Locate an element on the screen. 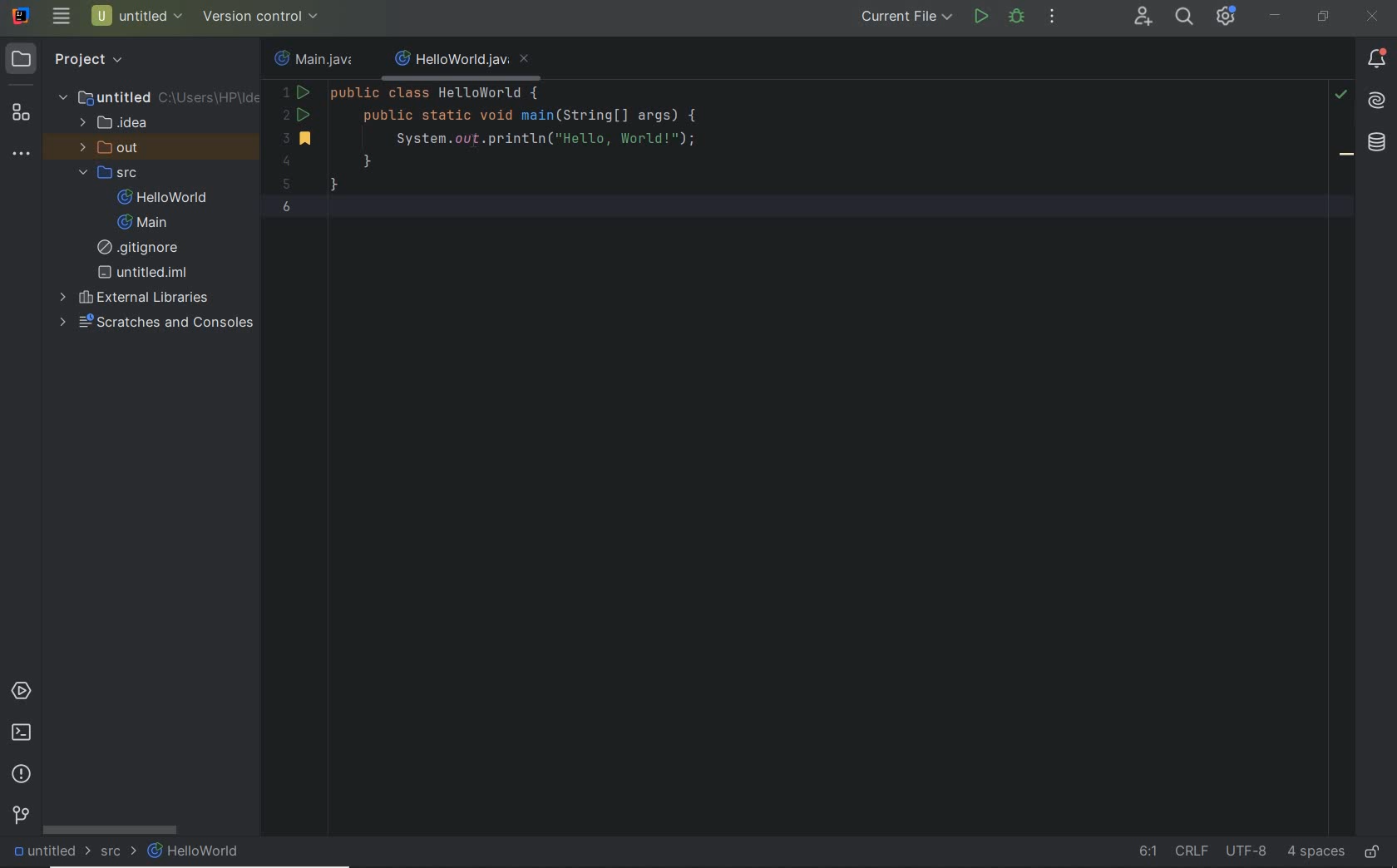 This screenshot has width=1397, height=868. debug is located at coordinates (1015, 16).